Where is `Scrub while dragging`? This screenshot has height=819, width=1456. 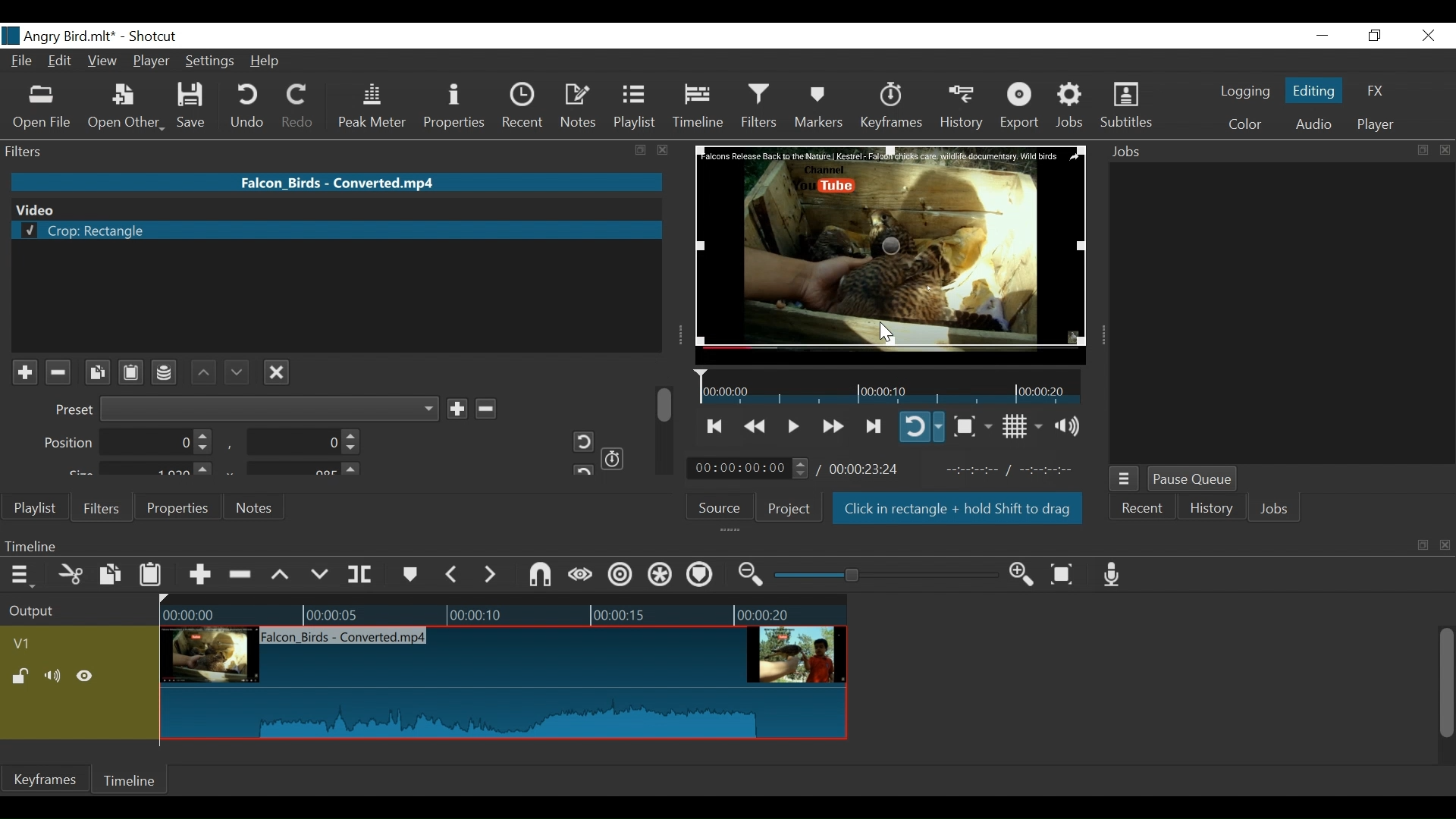 Scrub while dragging is located at coordinates (583, 576).